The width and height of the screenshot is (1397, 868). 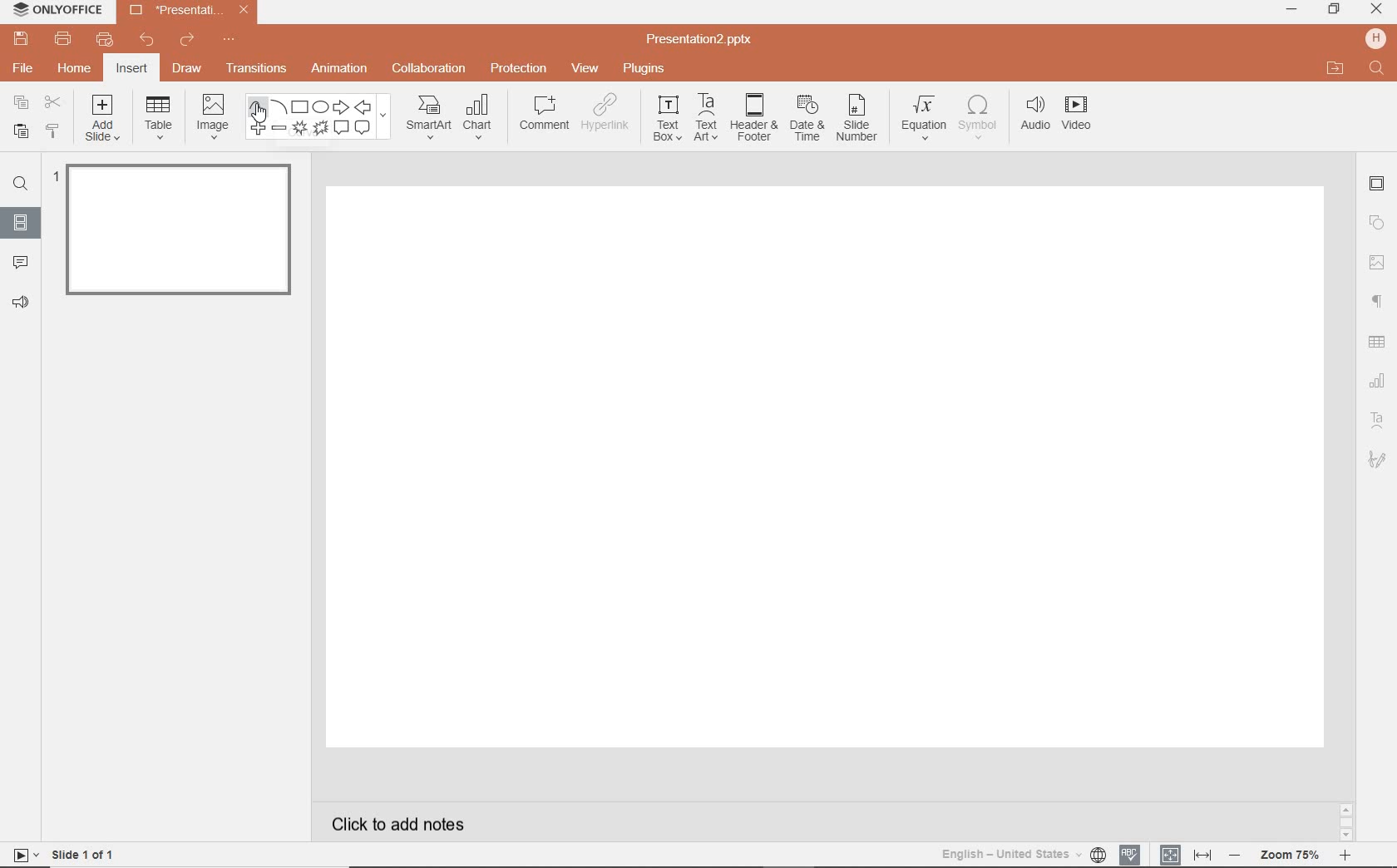 I want to click on COPY STYLE, so click(x=52, y=131).